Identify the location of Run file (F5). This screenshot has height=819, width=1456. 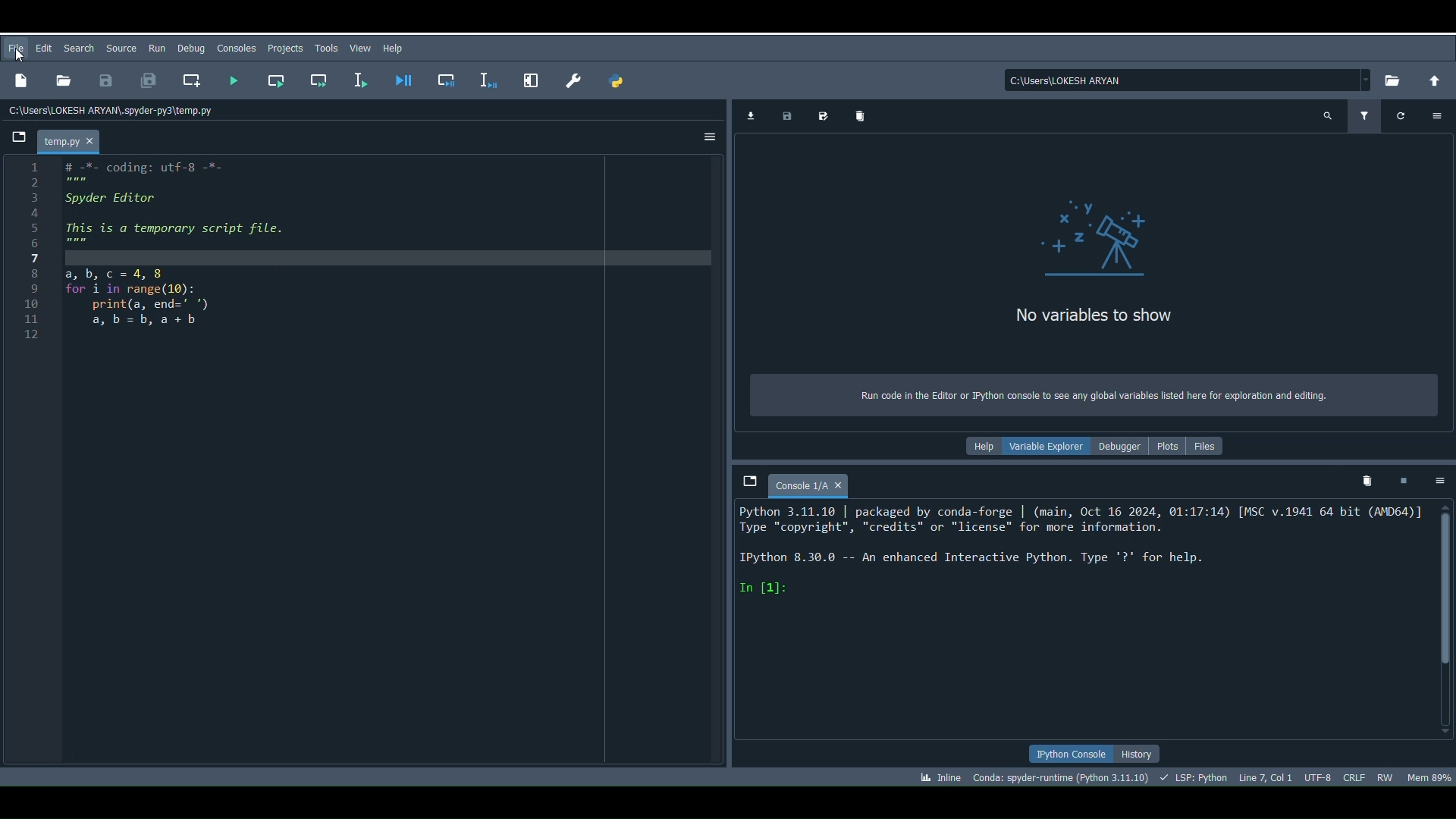
(231, 79).